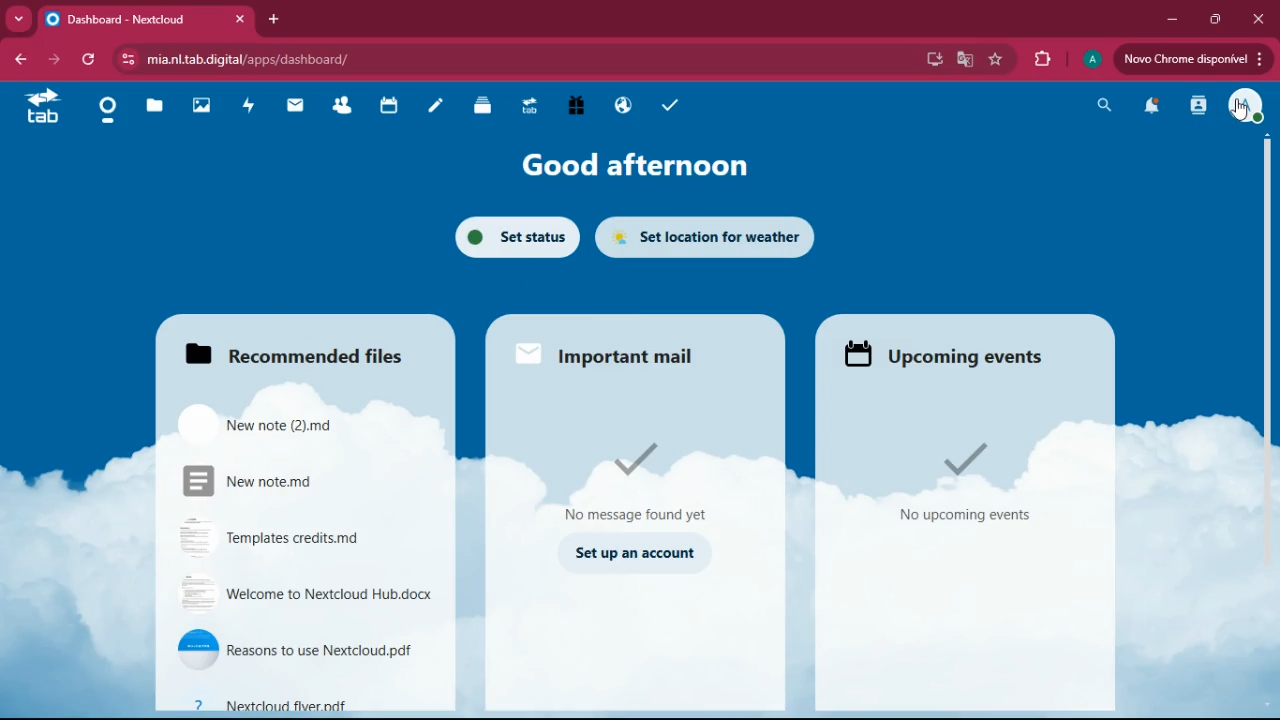  Describe the element at coordinates (18, 21) in the screenshot. I see `more` at that location.